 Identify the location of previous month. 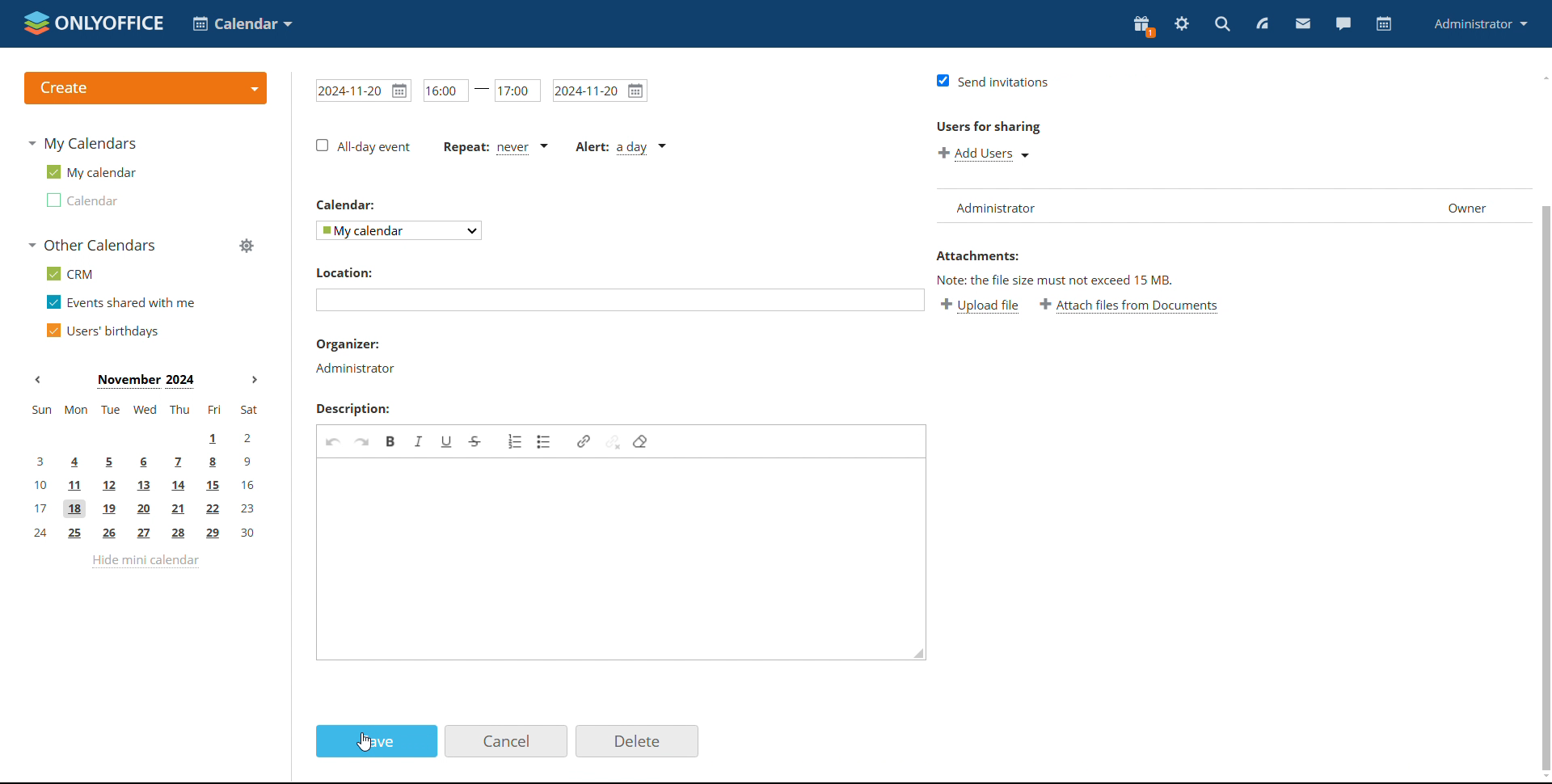
(42, 380).